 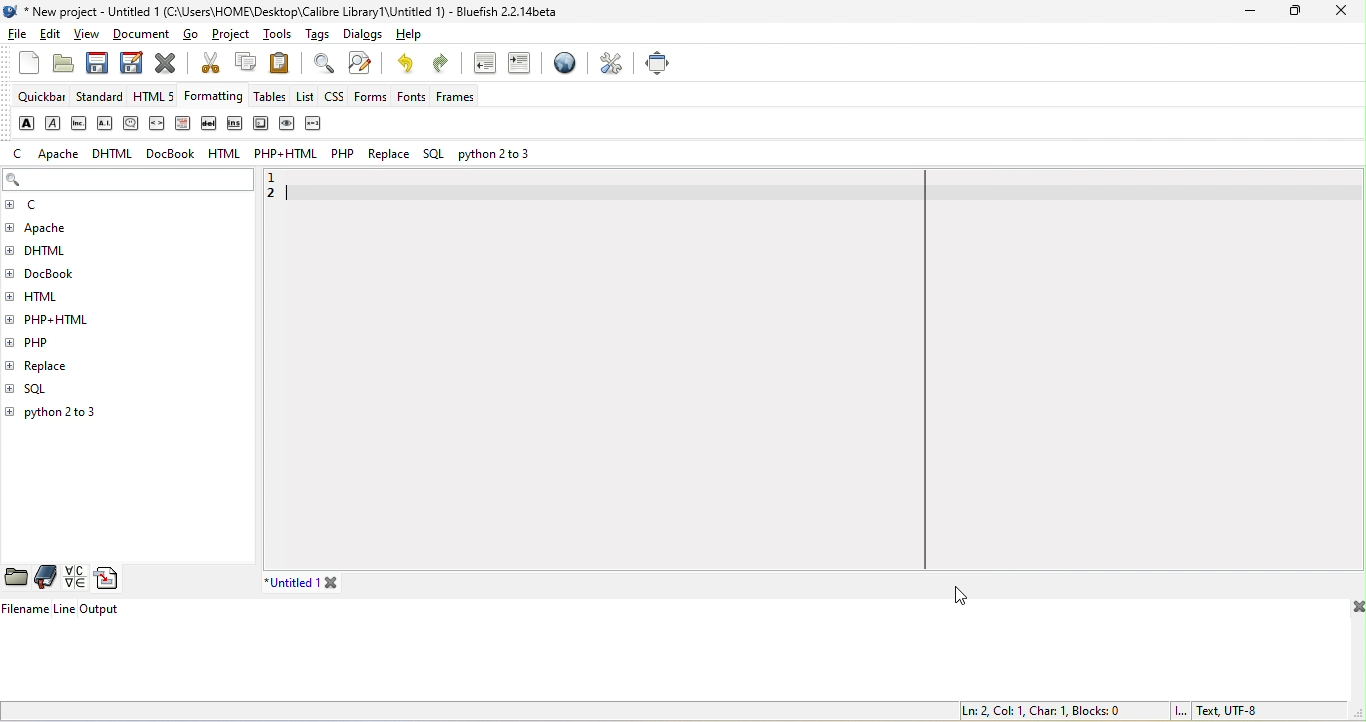 What do you see at coordinates (17, 578) in the screenshot?
I see `file browser` at bounding box center [17, 578].